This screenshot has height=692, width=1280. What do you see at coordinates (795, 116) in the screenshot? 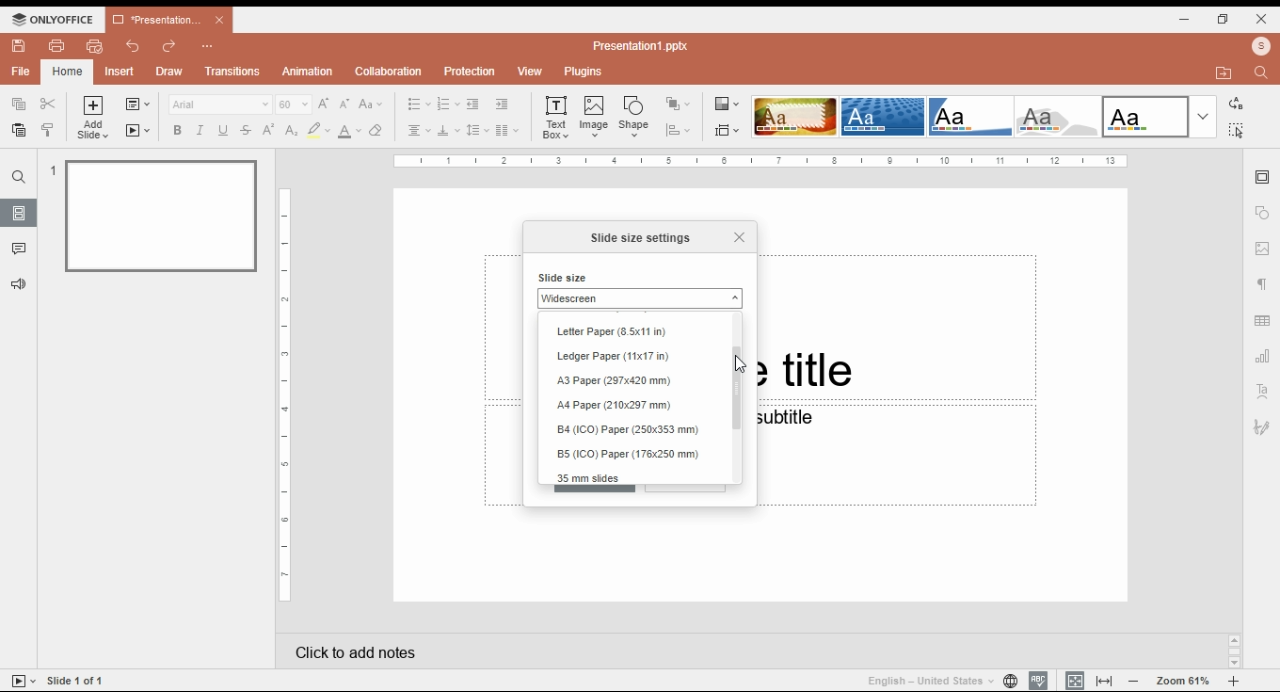
I see `slide them option` at bounding box center [795, 116].